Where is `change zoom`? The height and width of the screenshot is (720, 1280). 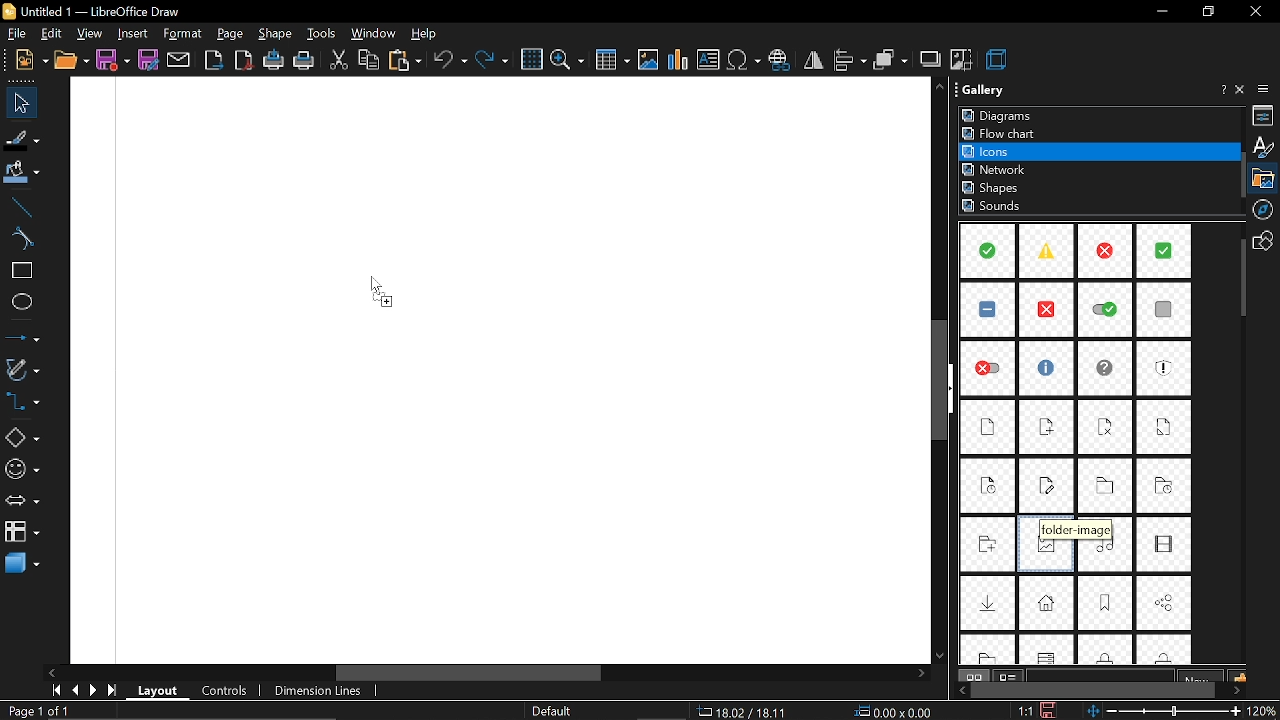 change zoom is located at coordinates (1165, 712).